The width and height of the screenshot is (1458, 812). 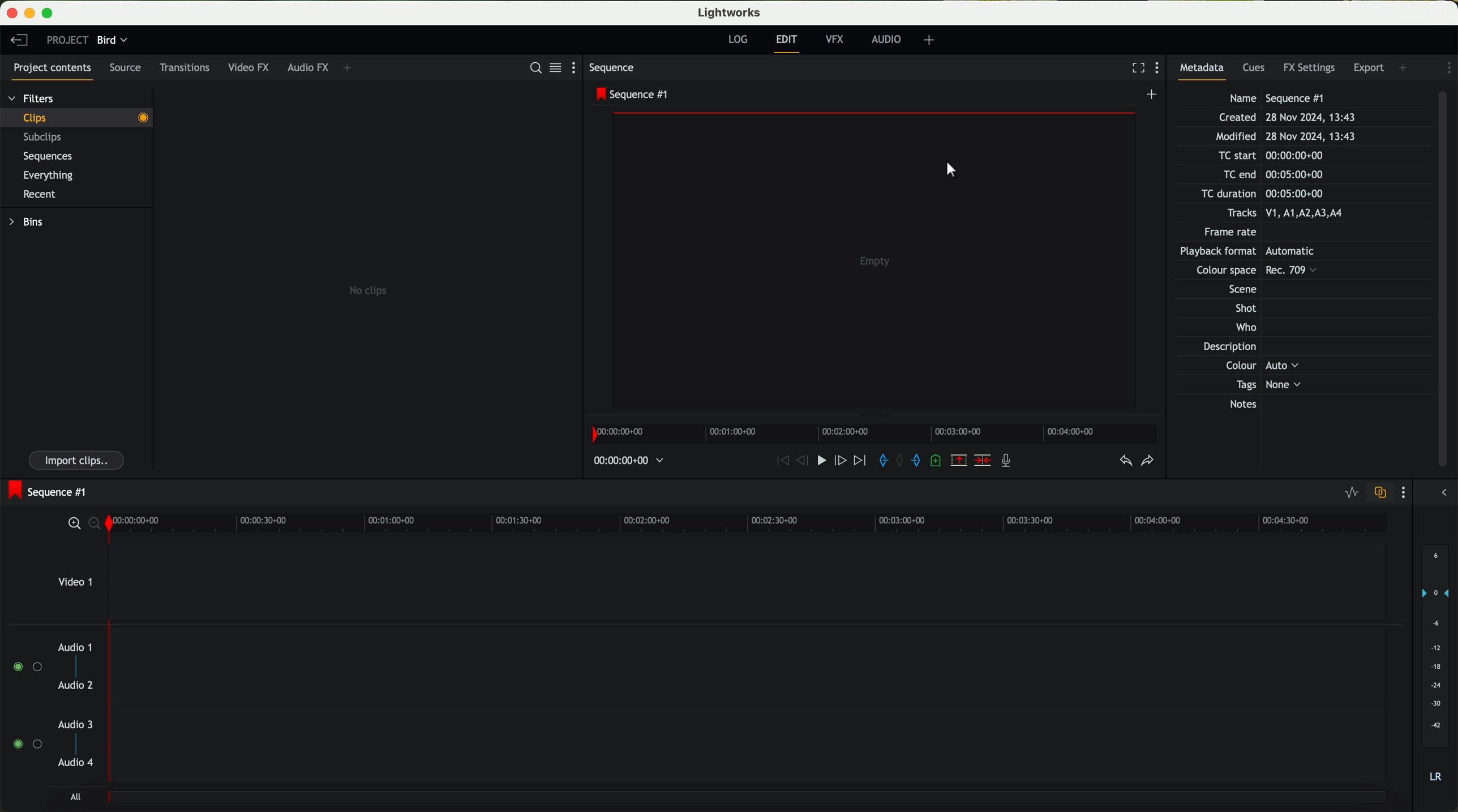 What do you see at coordinates (1159, 67) in the screenshot?
I see `show settings menu` at bounding box center [1159, 67].